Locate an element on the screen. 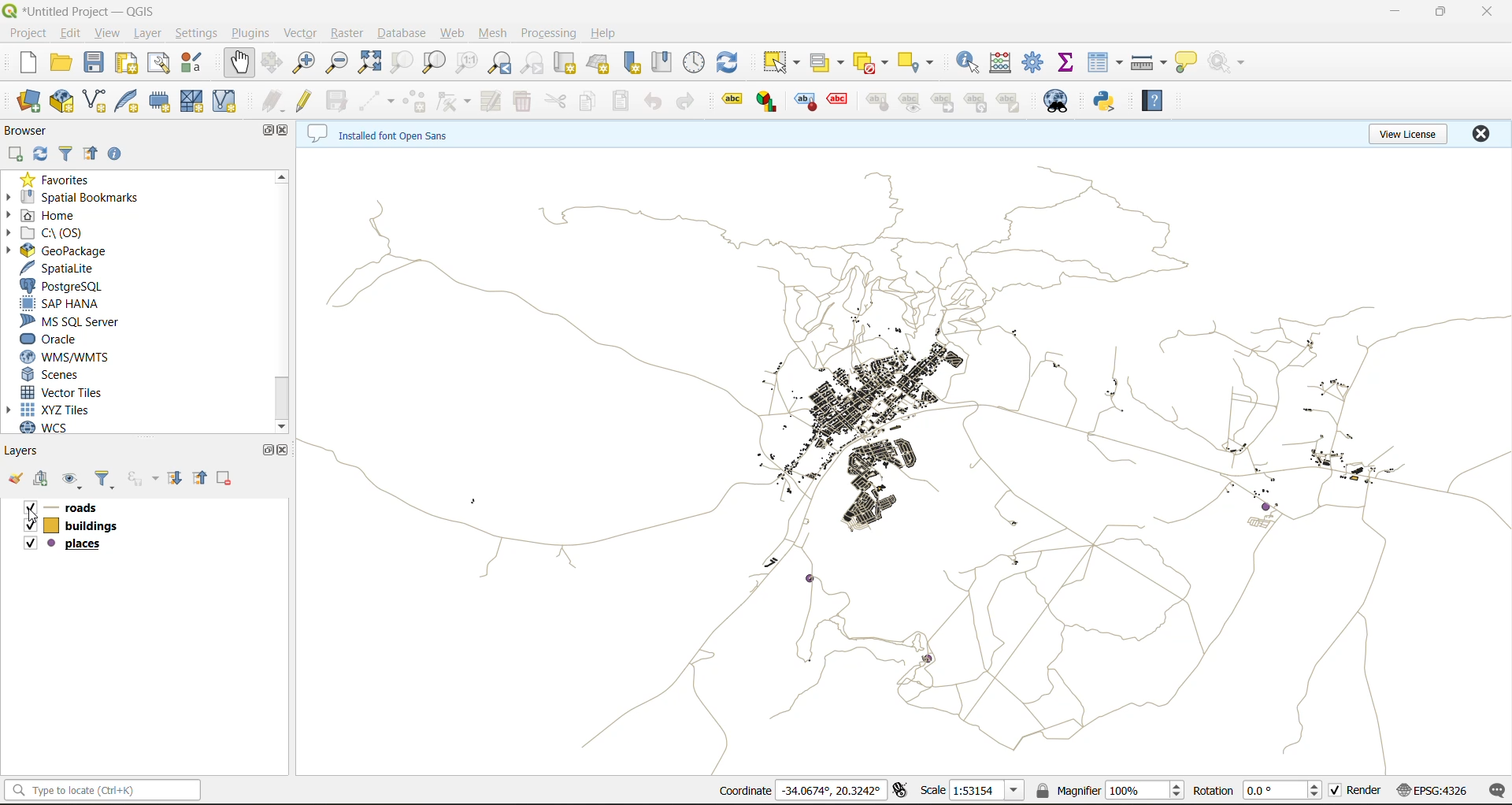 This screenshot has height=805, width=1512. layer is located at coordinates (150, 34).